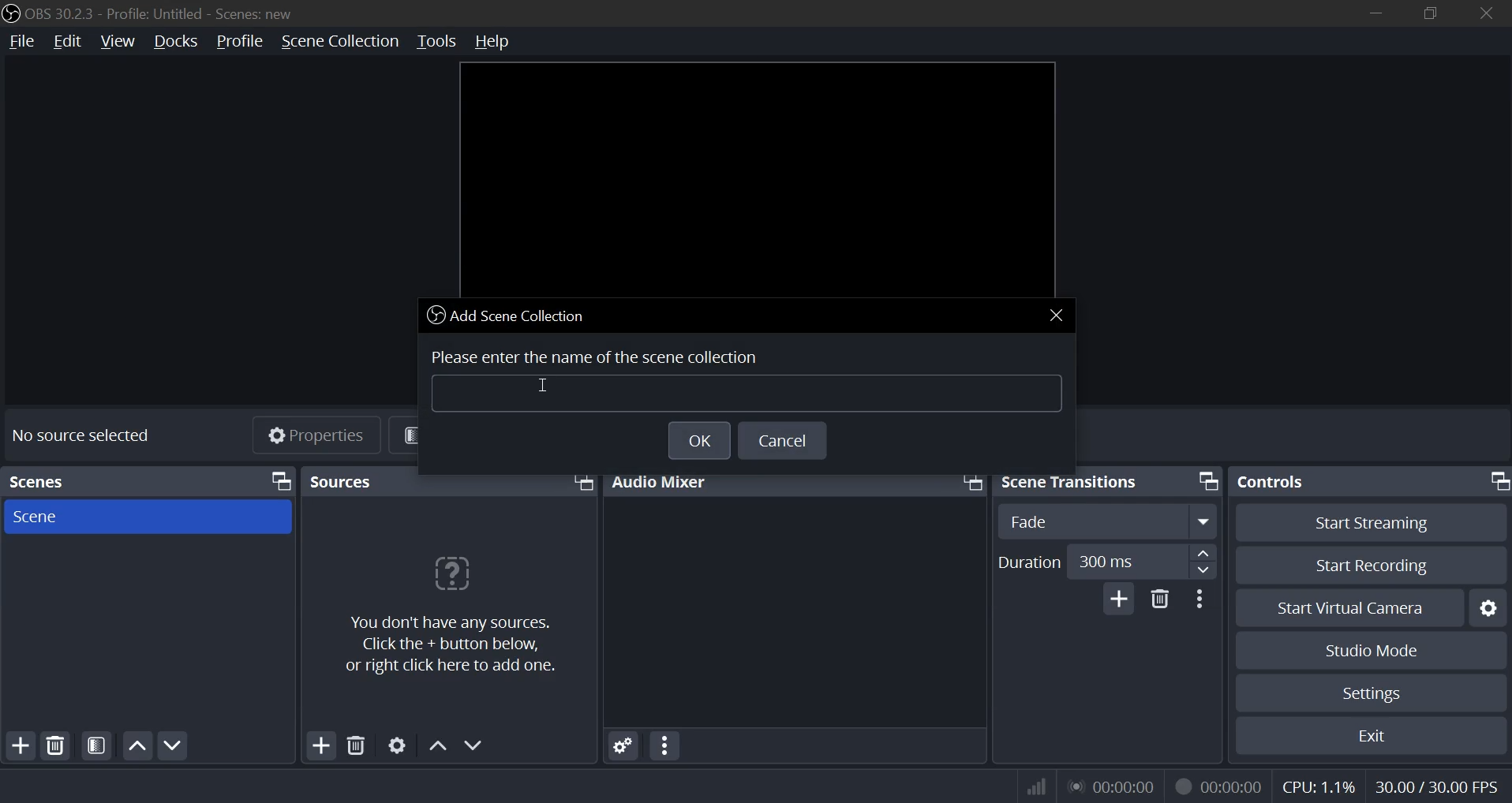 Image resolution: width=1512 pixels, height=803 pixels. Describe the element at coordinates (451, 576) in the screenshot. I see `question mark icon` at that location.